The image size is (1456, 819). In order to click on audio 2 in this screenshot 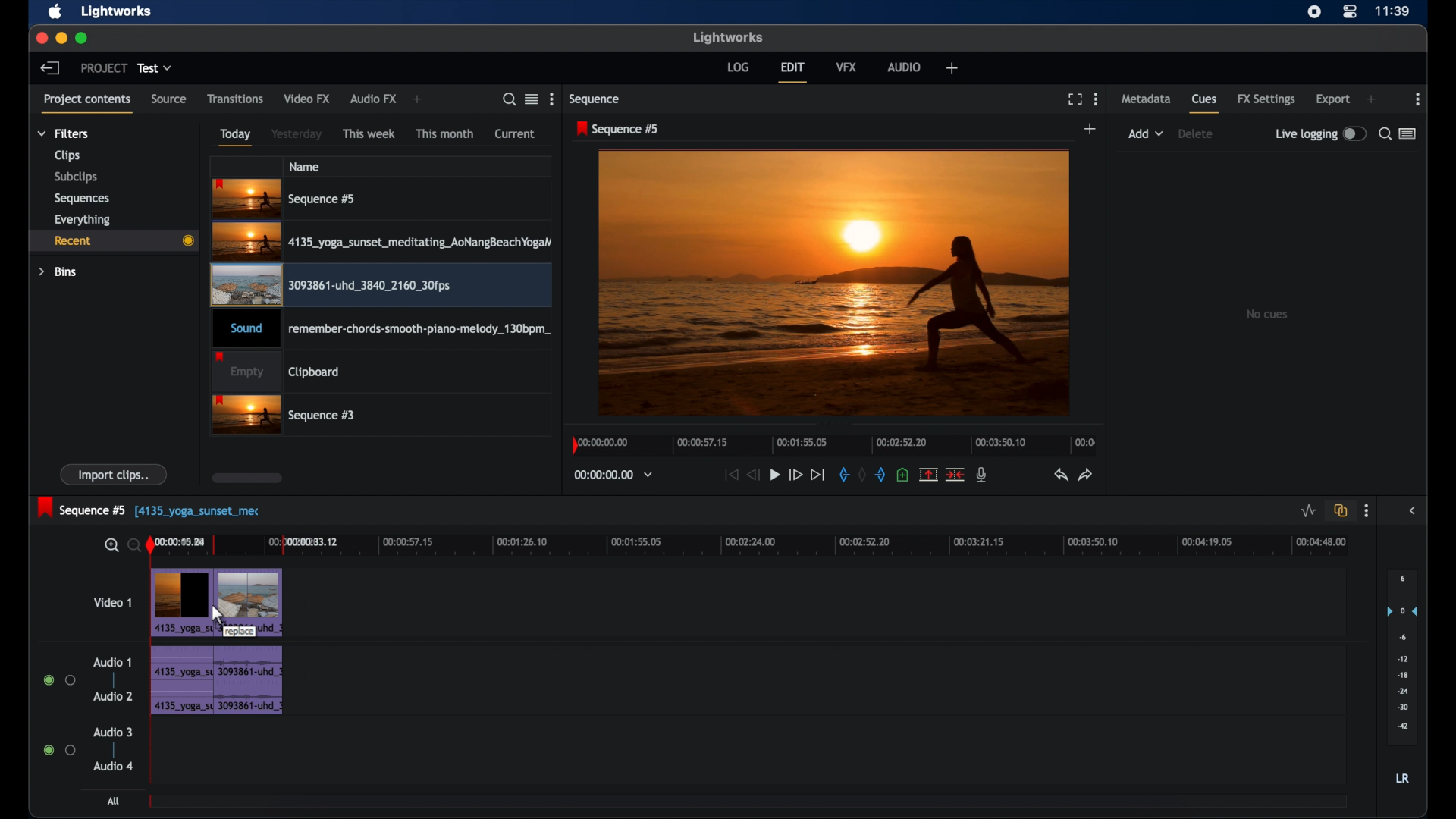, I will do `click(115, 696)`.